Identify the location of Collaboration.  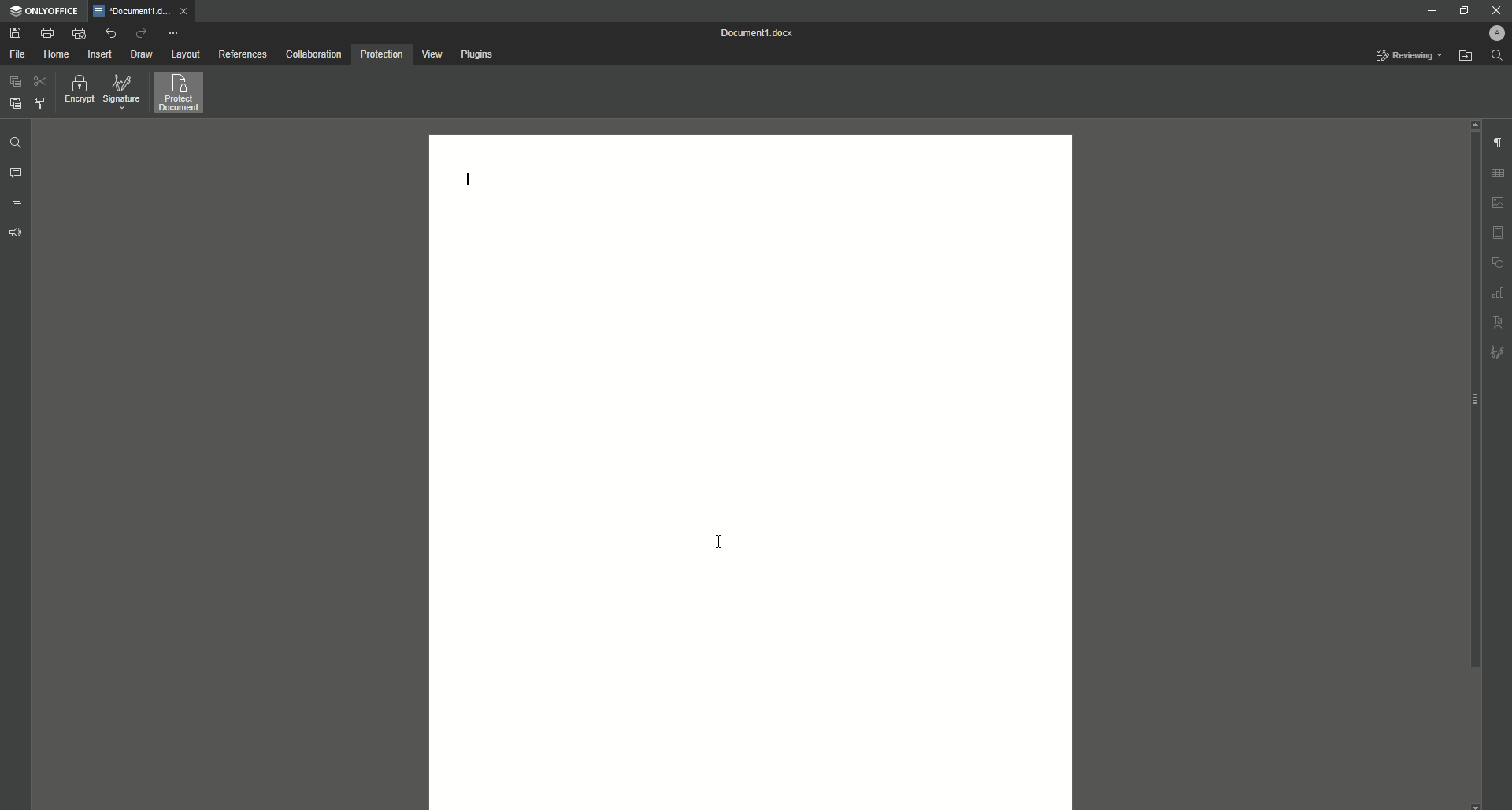
(312, 54).